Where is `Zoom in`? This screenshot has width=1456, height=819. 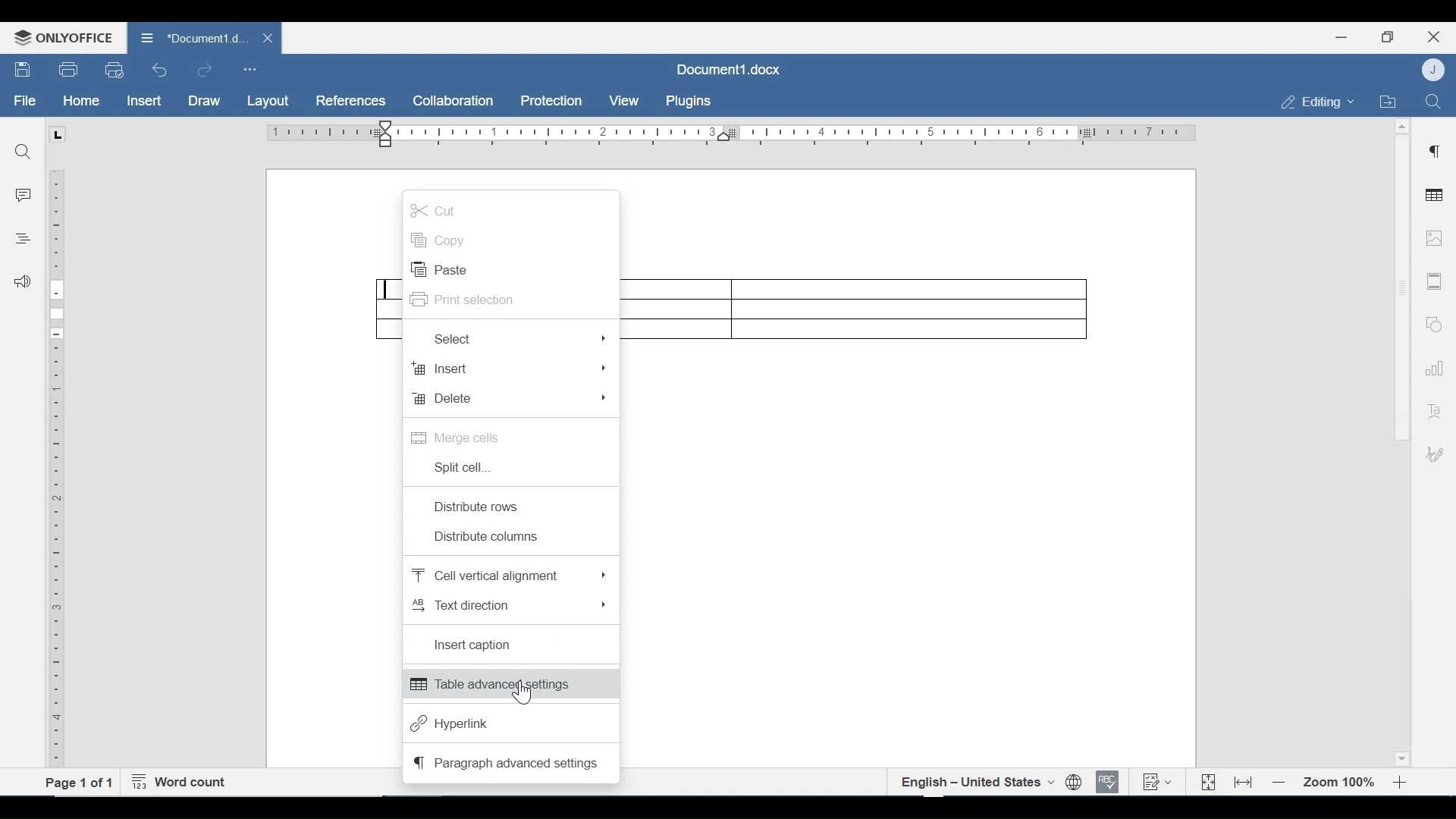
Zoom in is located at coordinates (1403, 783).